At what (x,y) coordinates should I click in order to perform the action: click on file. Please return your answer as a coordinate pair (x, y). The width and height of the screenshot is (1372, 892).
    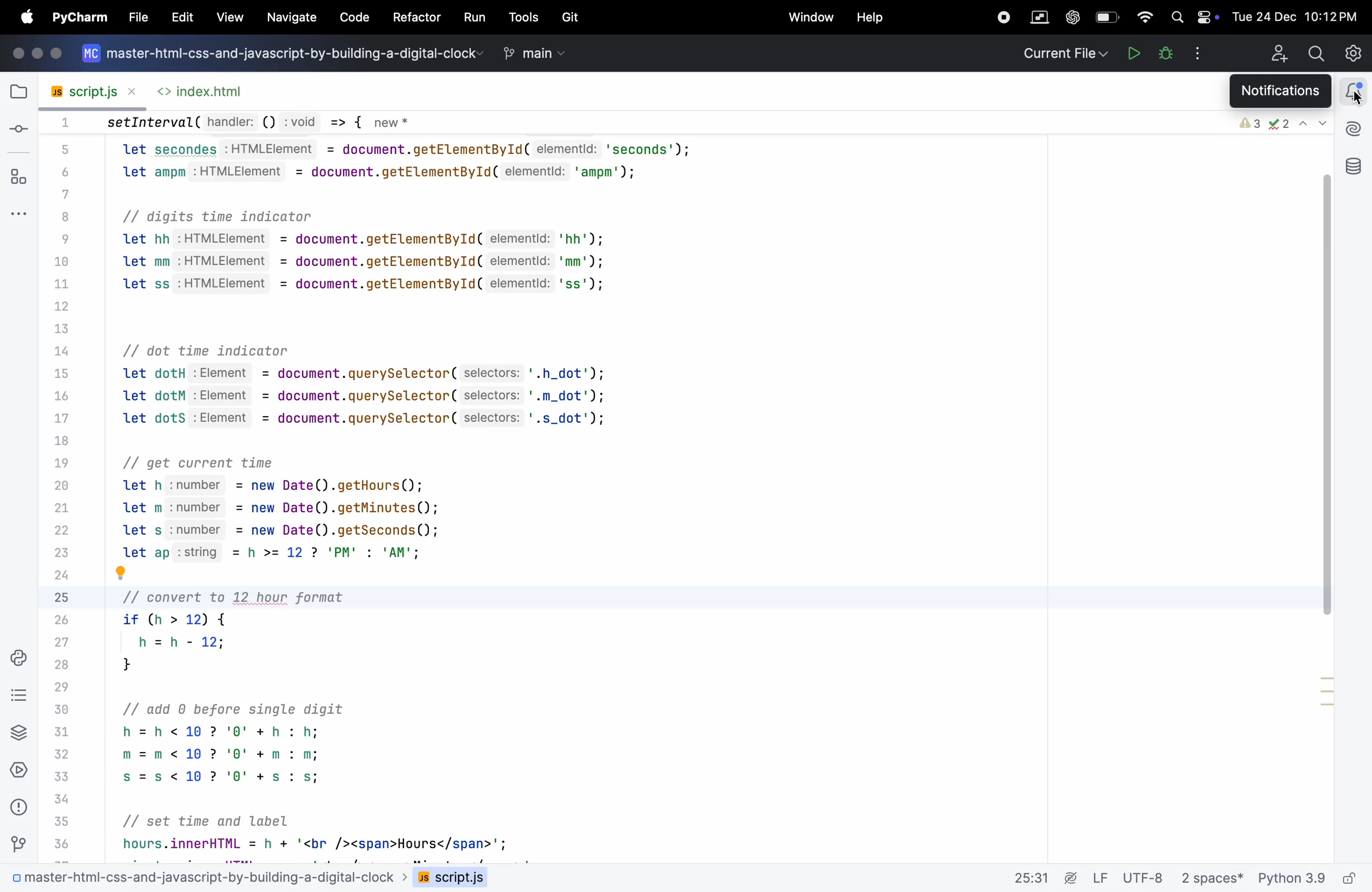
    Looking at the image, I should click on (138, 14).